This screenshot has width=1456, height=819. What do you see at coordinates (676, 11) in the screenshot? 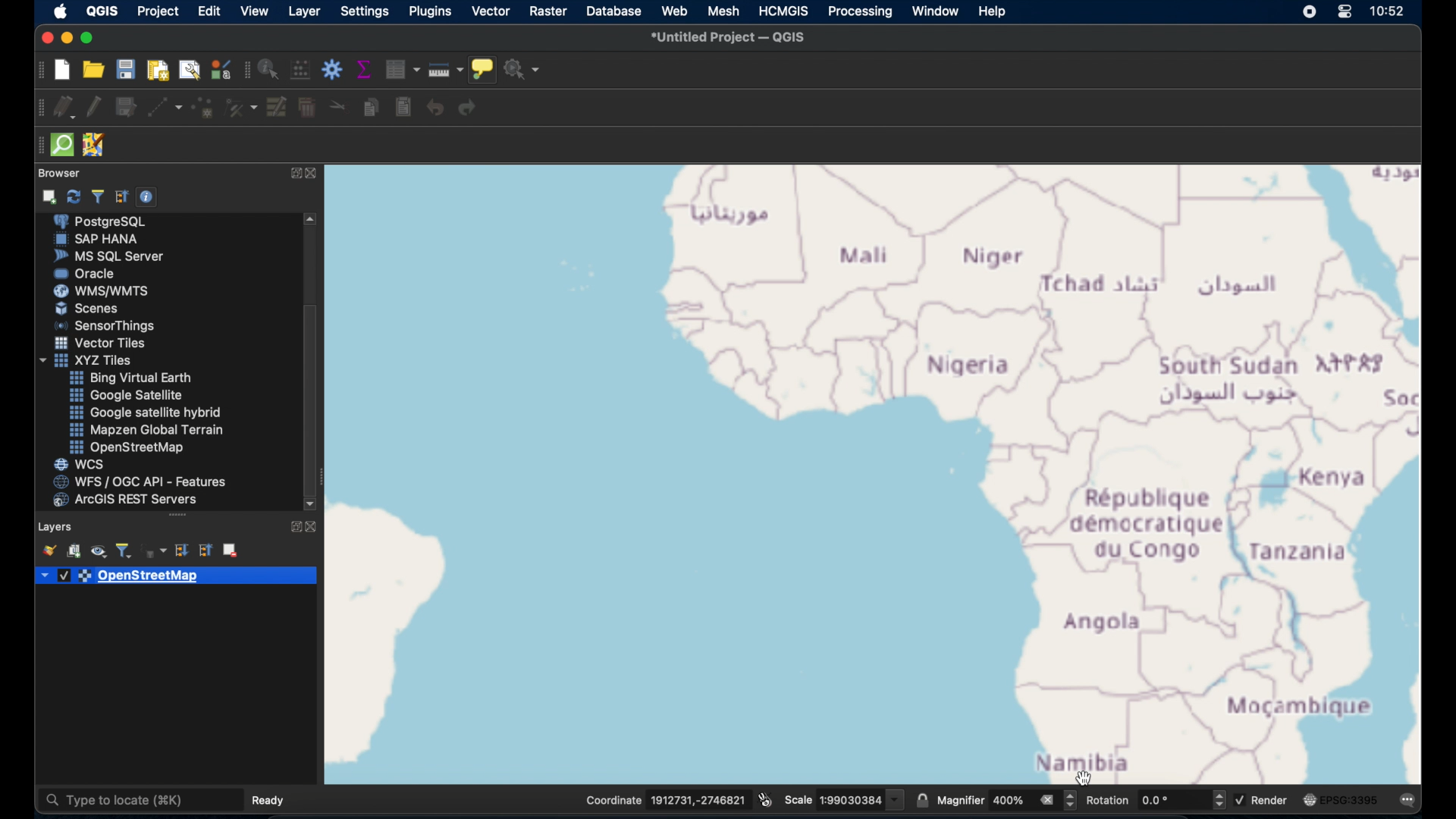
I see `web` at bounding box center [676, 11].